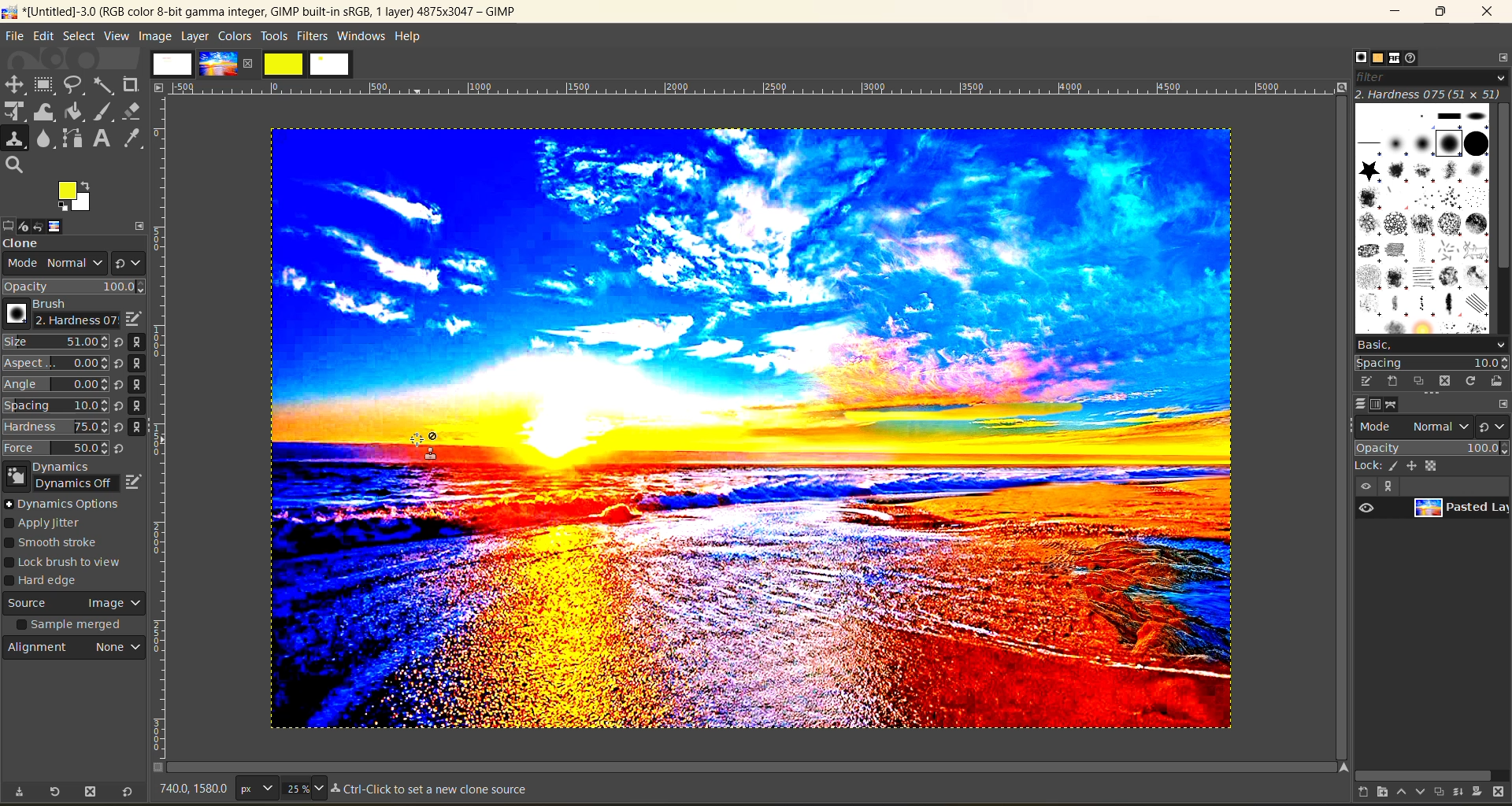 The height and width of the screenshot is (806, 1512). What do you see at coordinates (1503, 793) in the screenshot?
I see `delete this layer` at bounding box center [1503, 793].